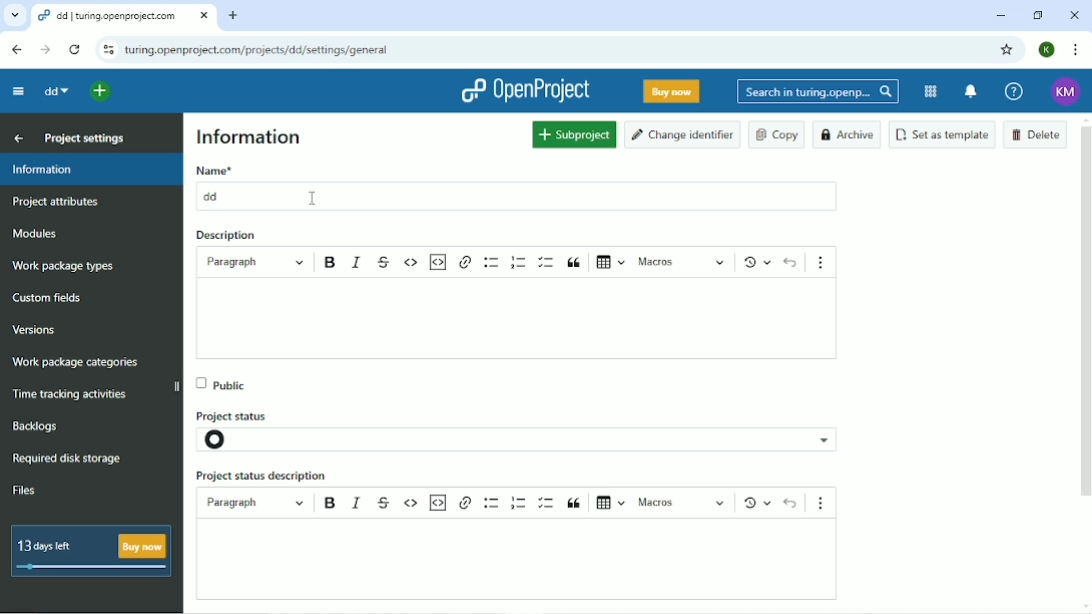 Image resolution: width=1092 pixels, height=614 pixels. What do you see at coordinates (1075, 15) in the screenshot?
I see `Close` at bounding box center [1075, 15].